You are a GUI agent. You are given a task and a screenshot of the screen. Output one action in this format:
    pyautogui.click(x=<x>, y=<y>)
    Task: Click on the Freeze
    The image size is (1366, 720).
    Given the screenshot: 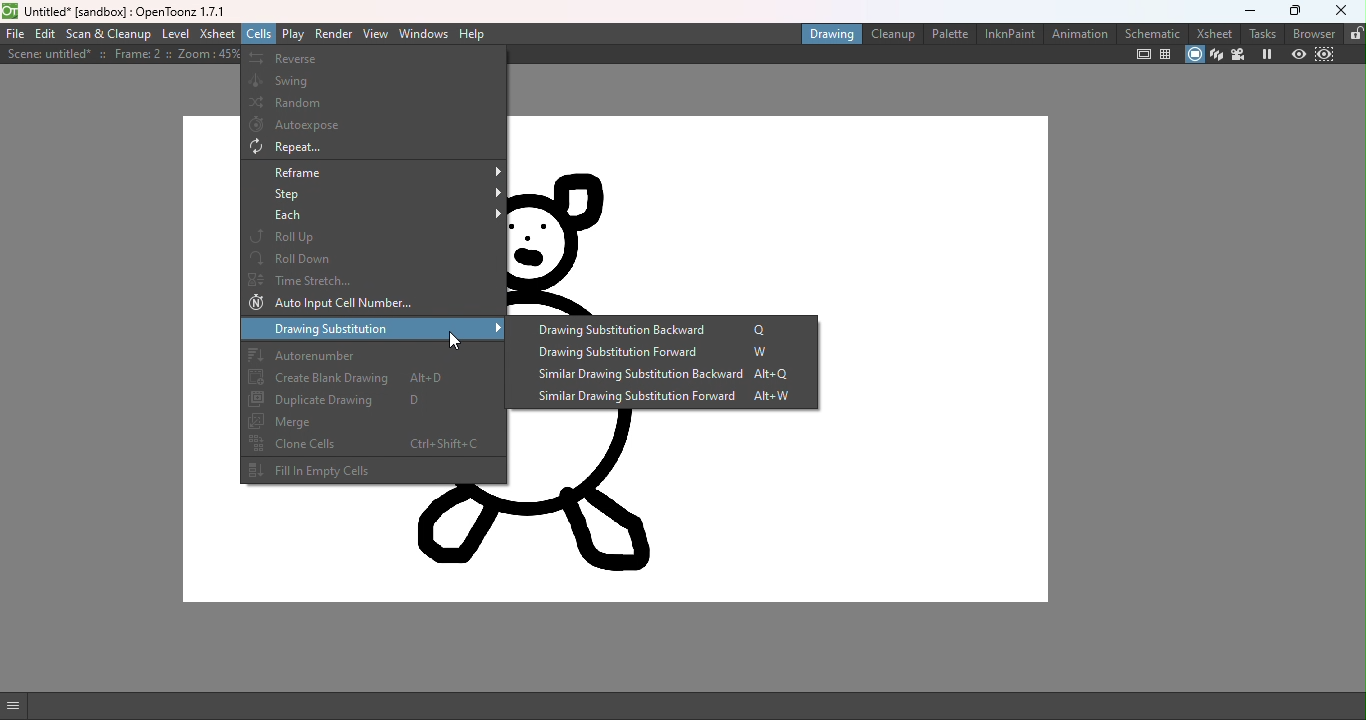 What is the action you would take?
    pyautogui.click(x=1268, y=55)
    